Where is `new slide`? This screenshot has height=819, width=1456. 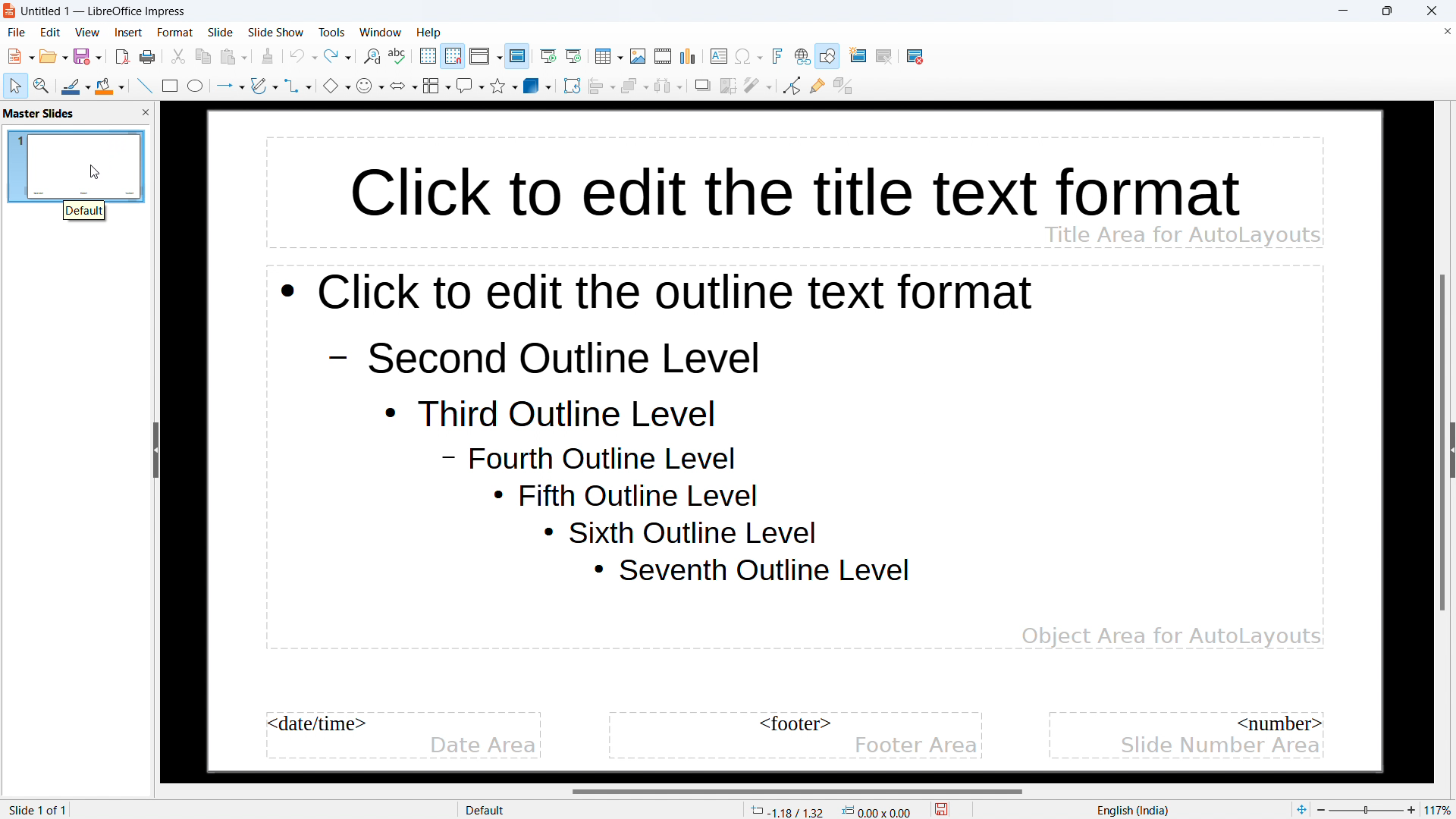 new slide is located at coordinates (861, 56).